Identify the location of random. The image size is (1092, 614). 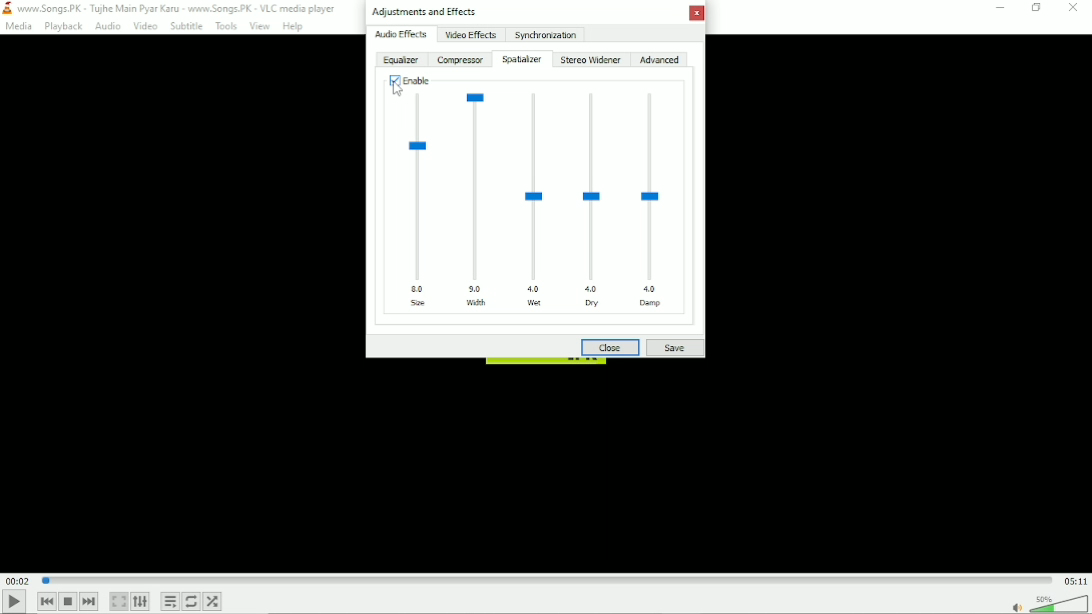
(213, 601).